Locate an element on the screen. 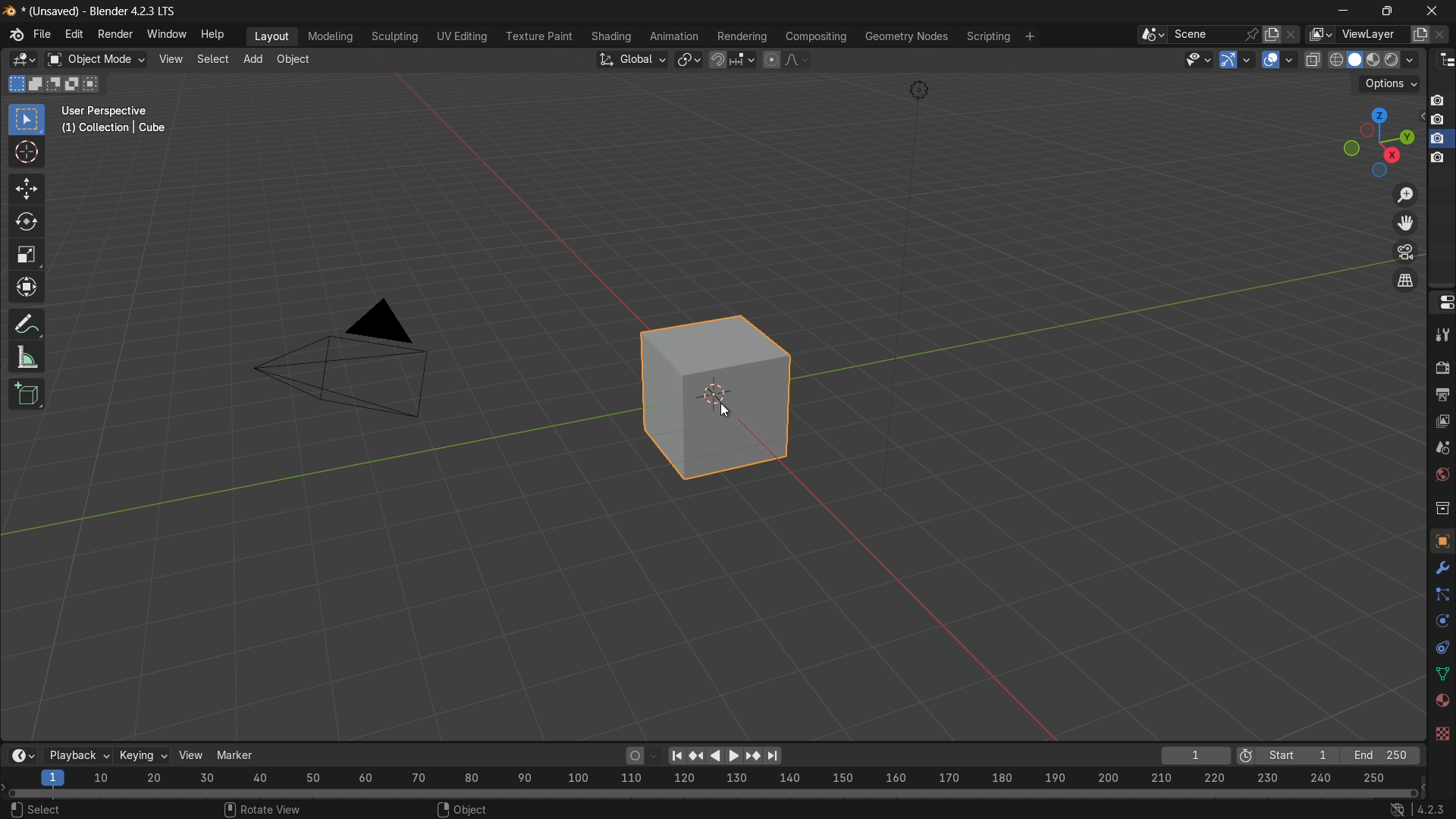 The height and width of the screenshot is (819, 1456). rendering menu is located at coordinates (740, 36).